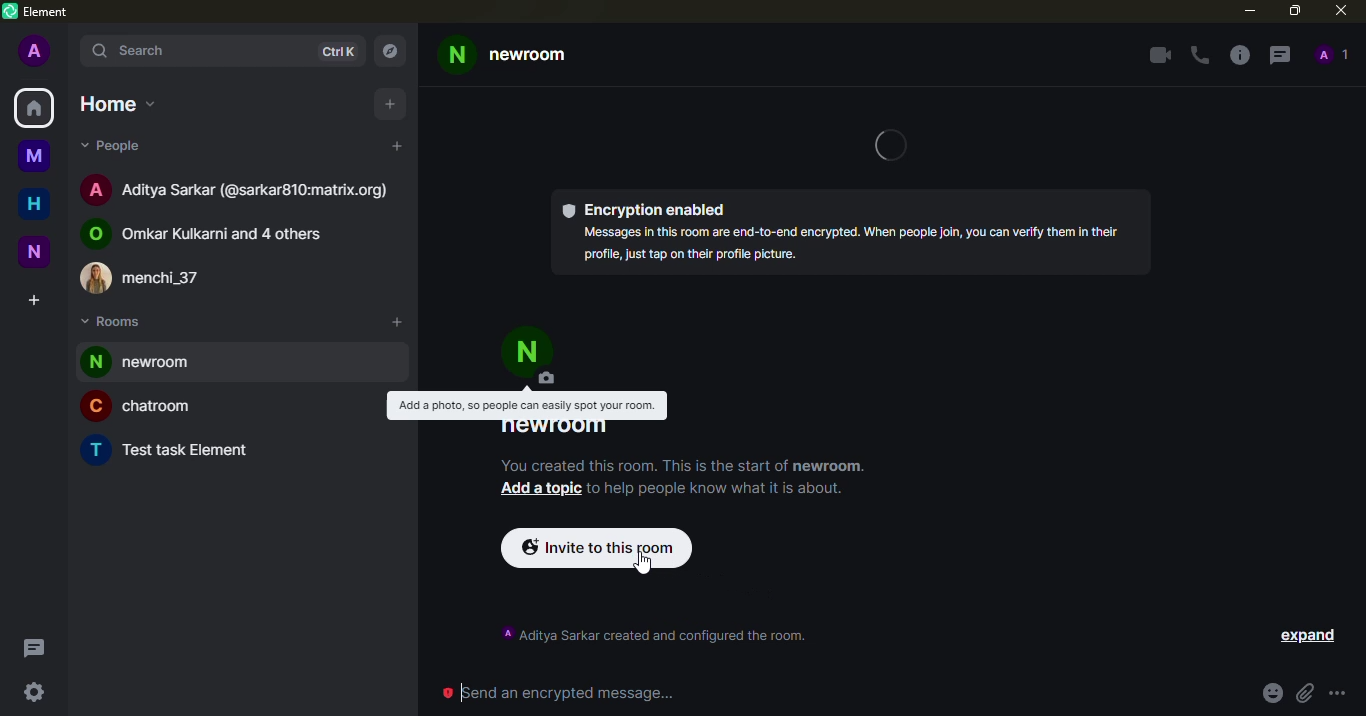 The image size is (1366, 716). I want to click on maximize, so click(1291, 13).